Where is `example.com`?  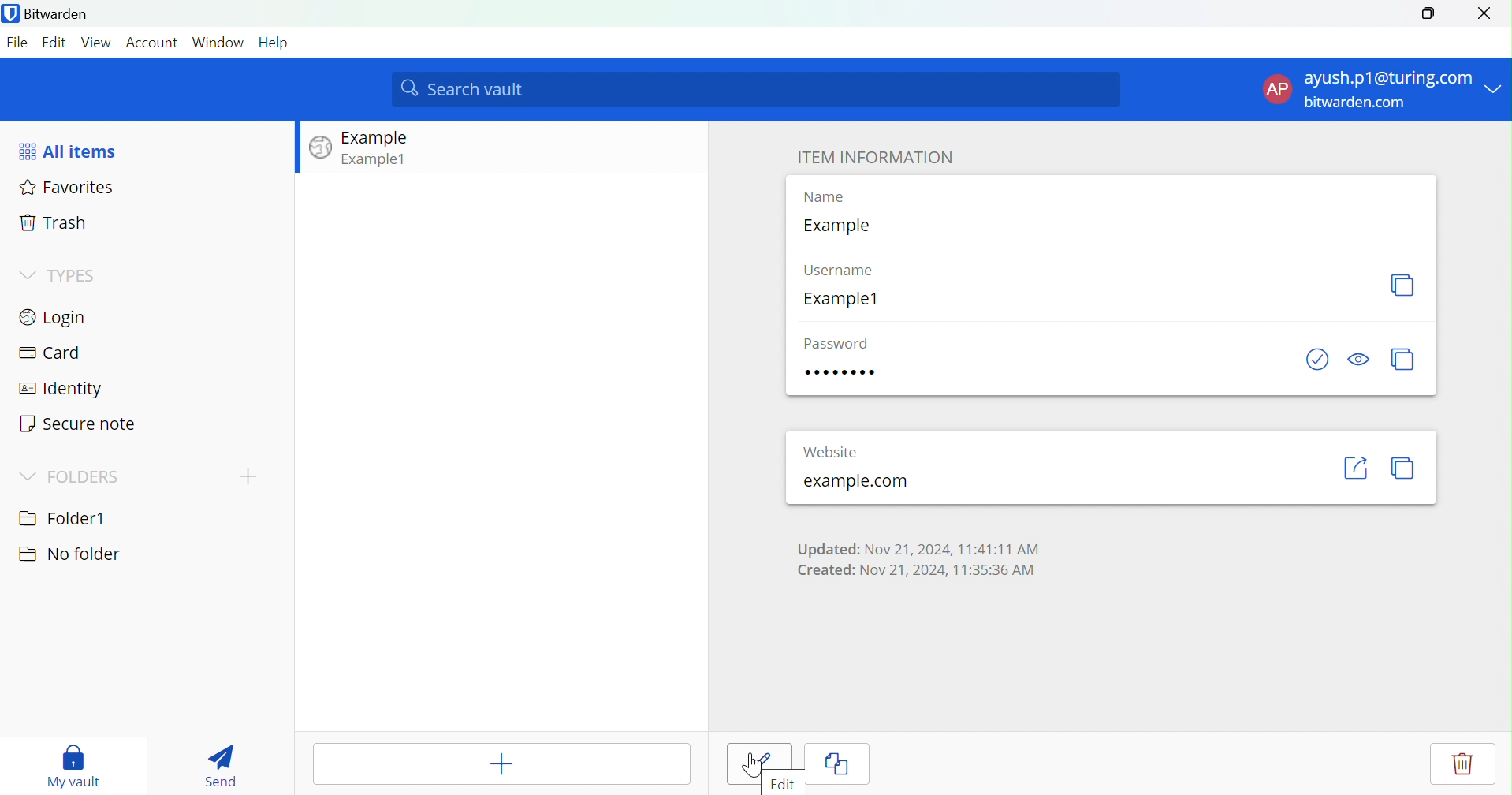
example.com is located at coordinates (864, 485).